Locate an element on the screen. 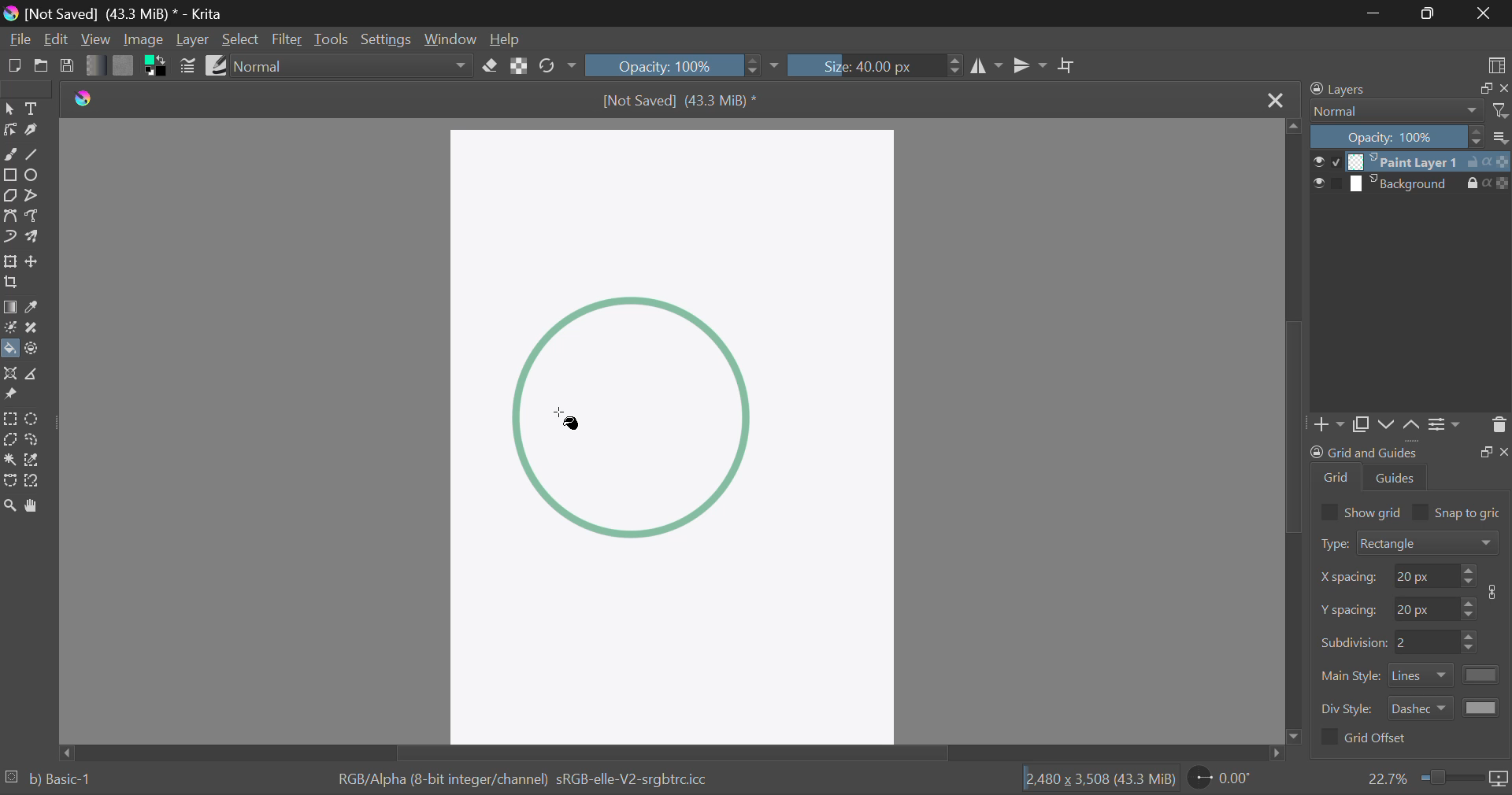  Close is located at coordinates (1484, 13).